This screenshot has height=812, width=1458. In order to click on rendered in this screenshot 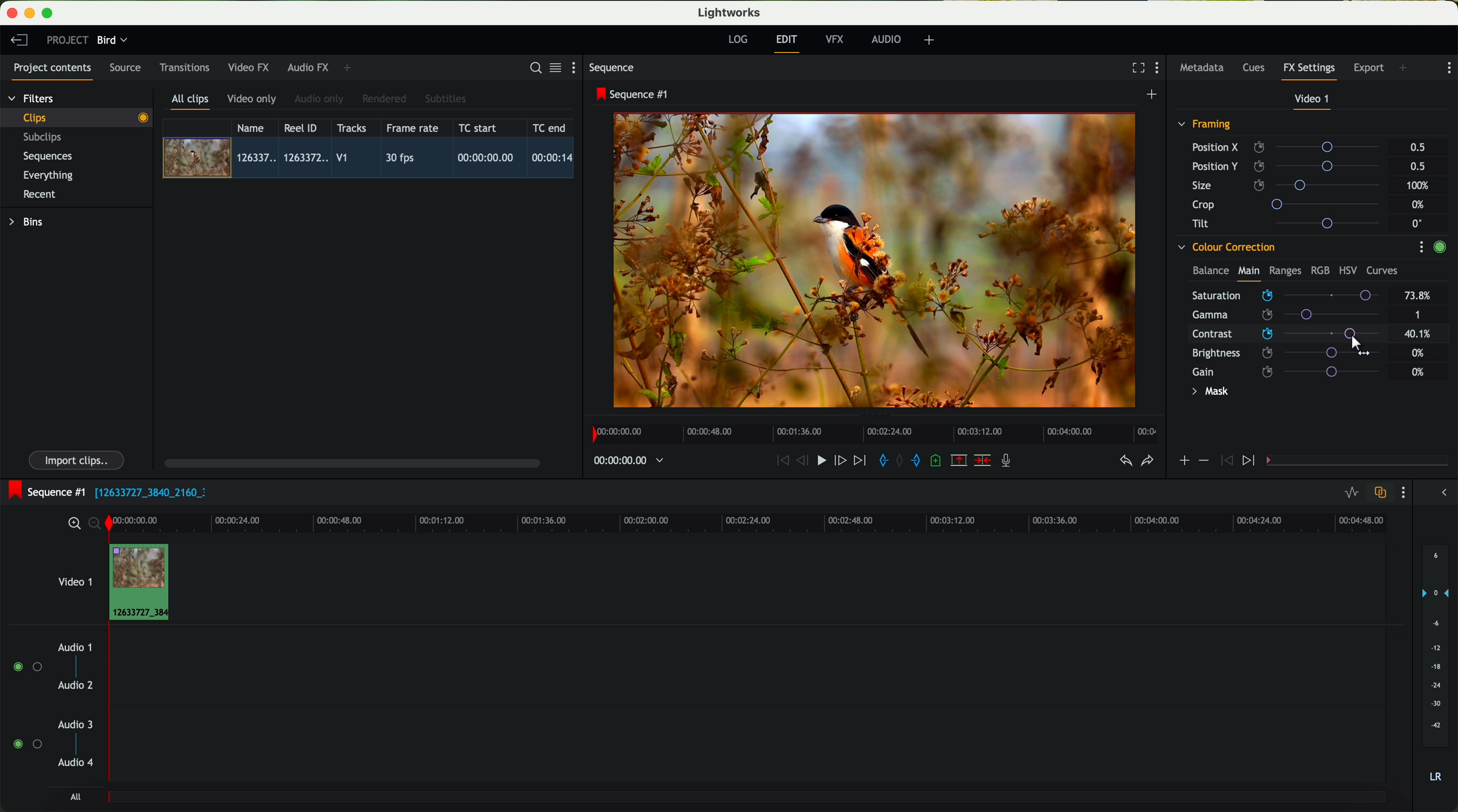, I will do `click(385, 100)`.